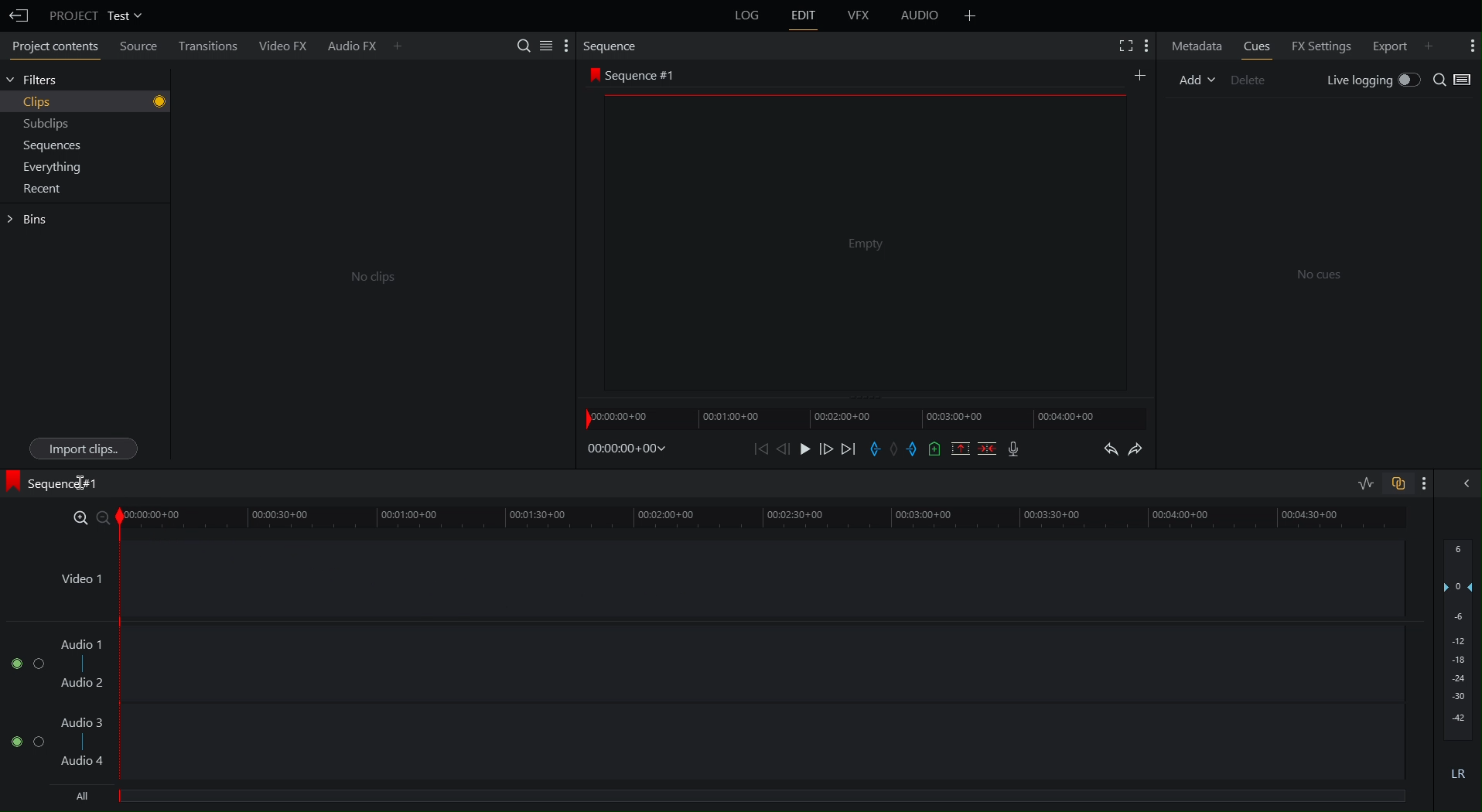 Image resolution: width=1482 pixels, height=812 pixels. What do you see at coordinates (22, 738) in the screenshot?
I see `Audio Channel 2` at bounding box center [22, 738].